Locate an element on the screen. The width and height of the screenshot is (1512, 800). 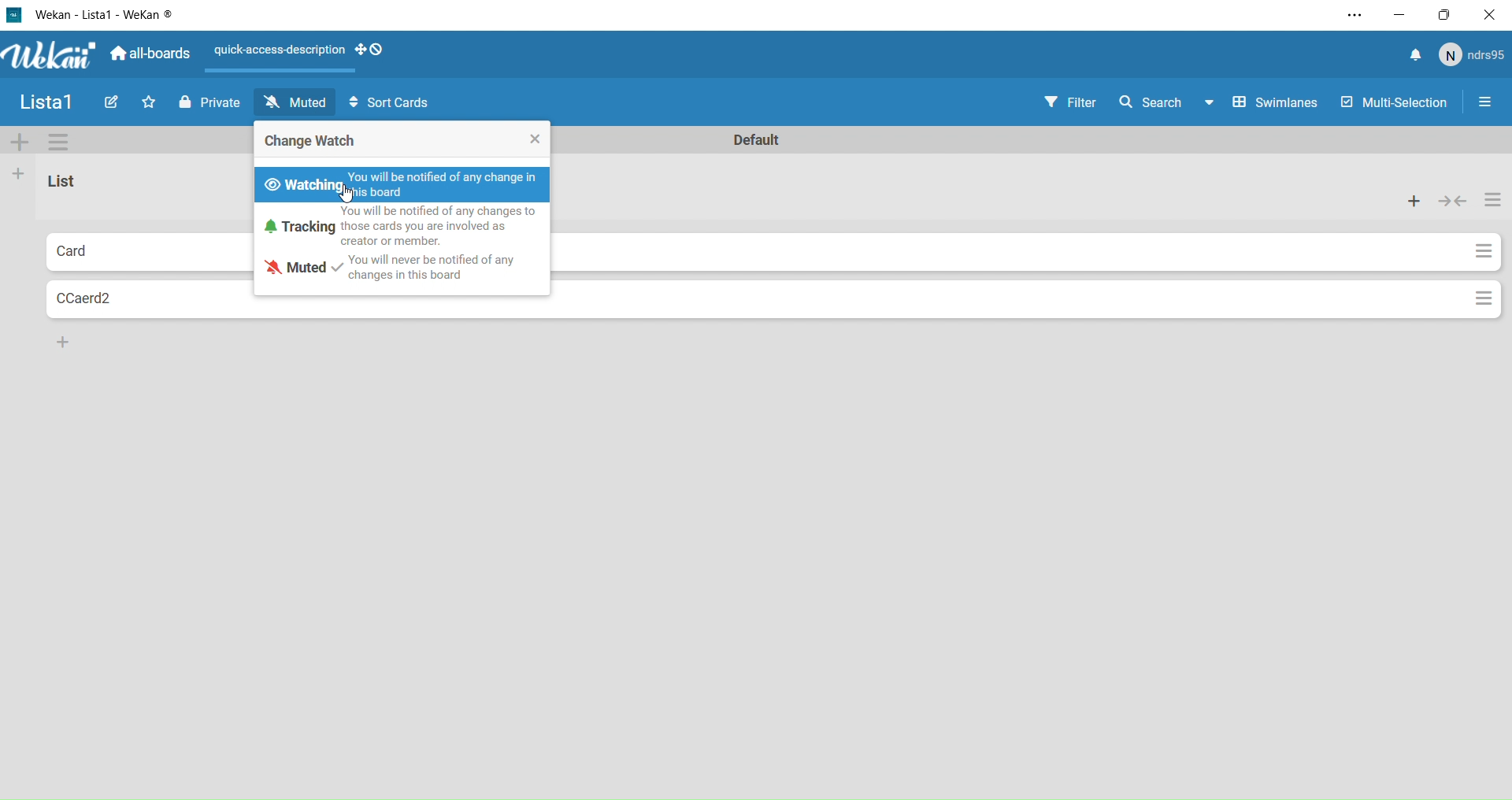
Filter is located at coordinates (1069, 103).